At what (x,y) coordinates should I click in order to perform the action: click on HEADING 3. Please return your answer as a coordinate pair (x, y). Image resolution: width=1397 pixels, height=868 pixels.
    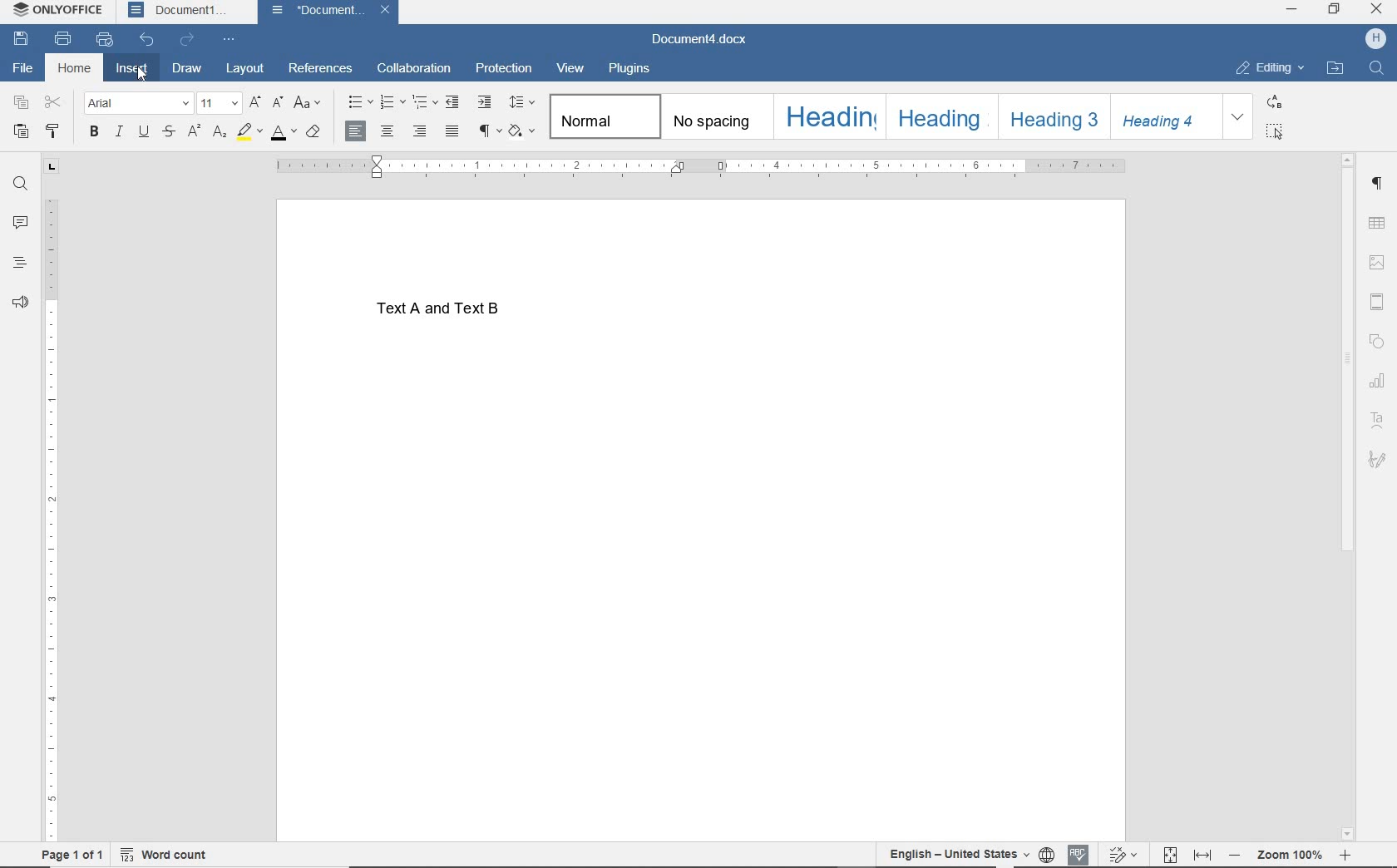
    Looking at the image, I should click on (1051, 116).